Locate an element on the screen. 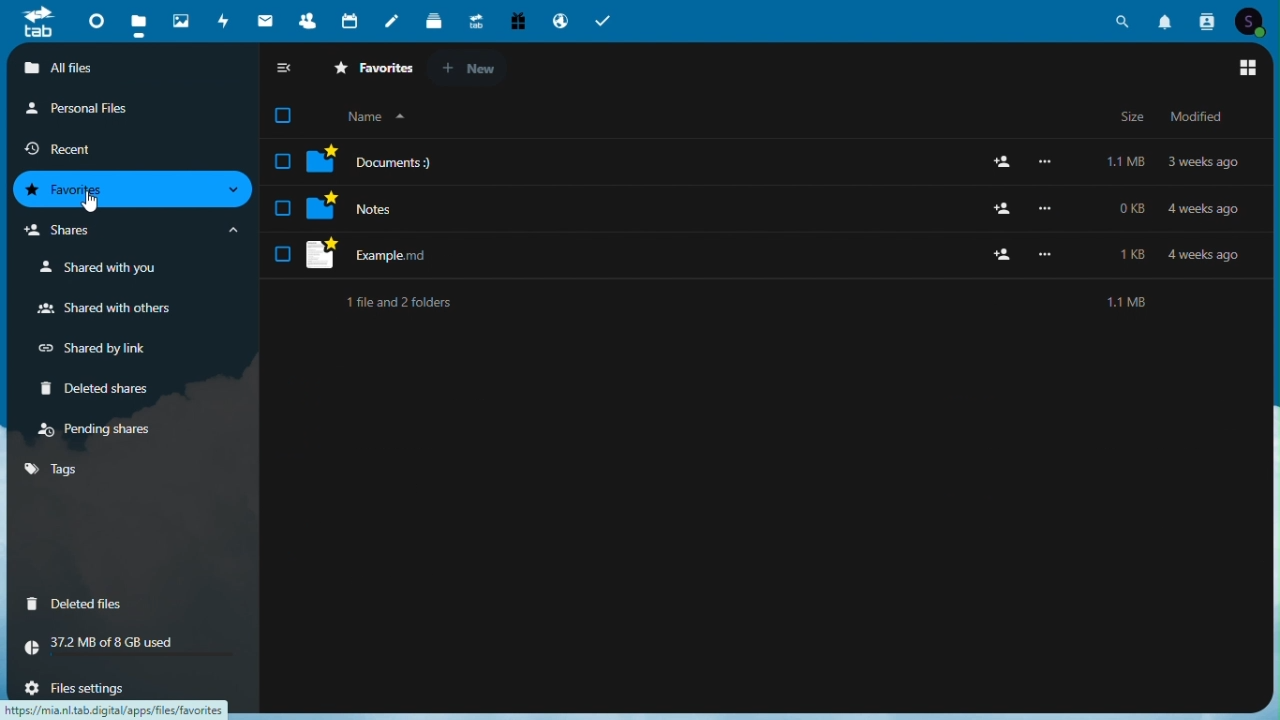 The width and height of the screenshot is (1280, 720). Favorite is located at coordinates (375, 68).